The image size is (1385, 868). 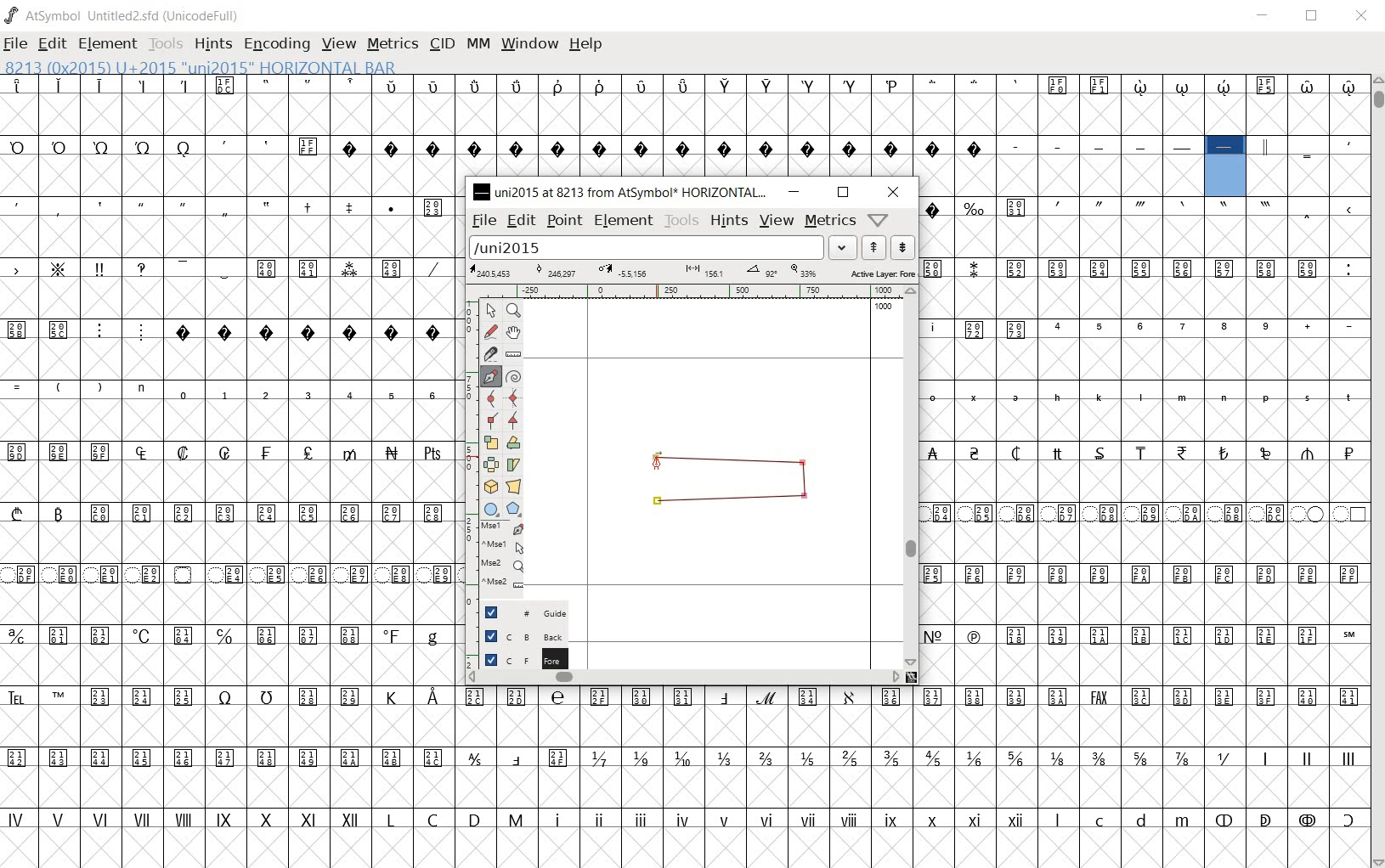 I want to click on HELP, so click(x=588, y=43).